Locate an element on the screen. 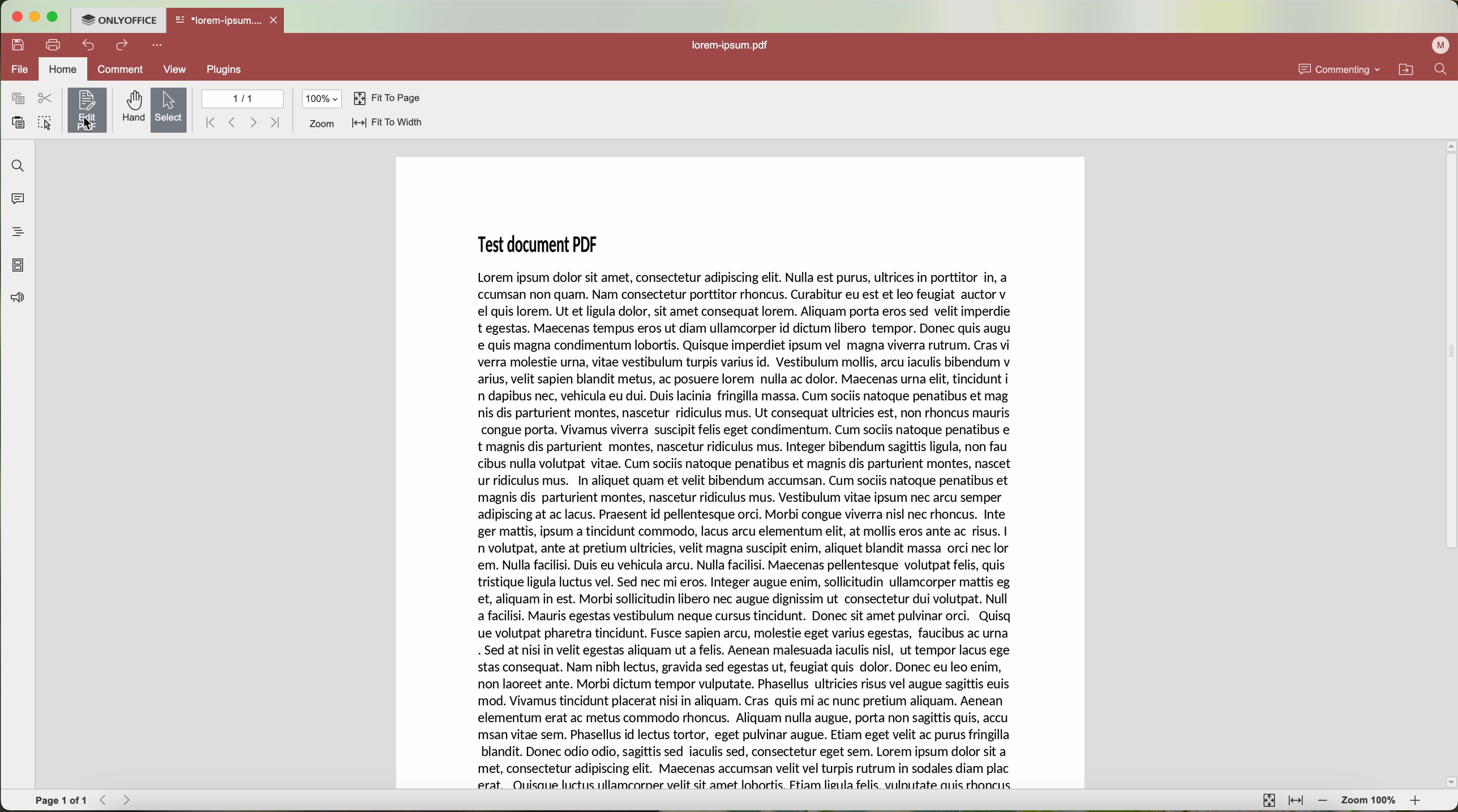 Image resolution: width=1458 pixels, height=812 pixels. redo is located at coordinates (123, 45).